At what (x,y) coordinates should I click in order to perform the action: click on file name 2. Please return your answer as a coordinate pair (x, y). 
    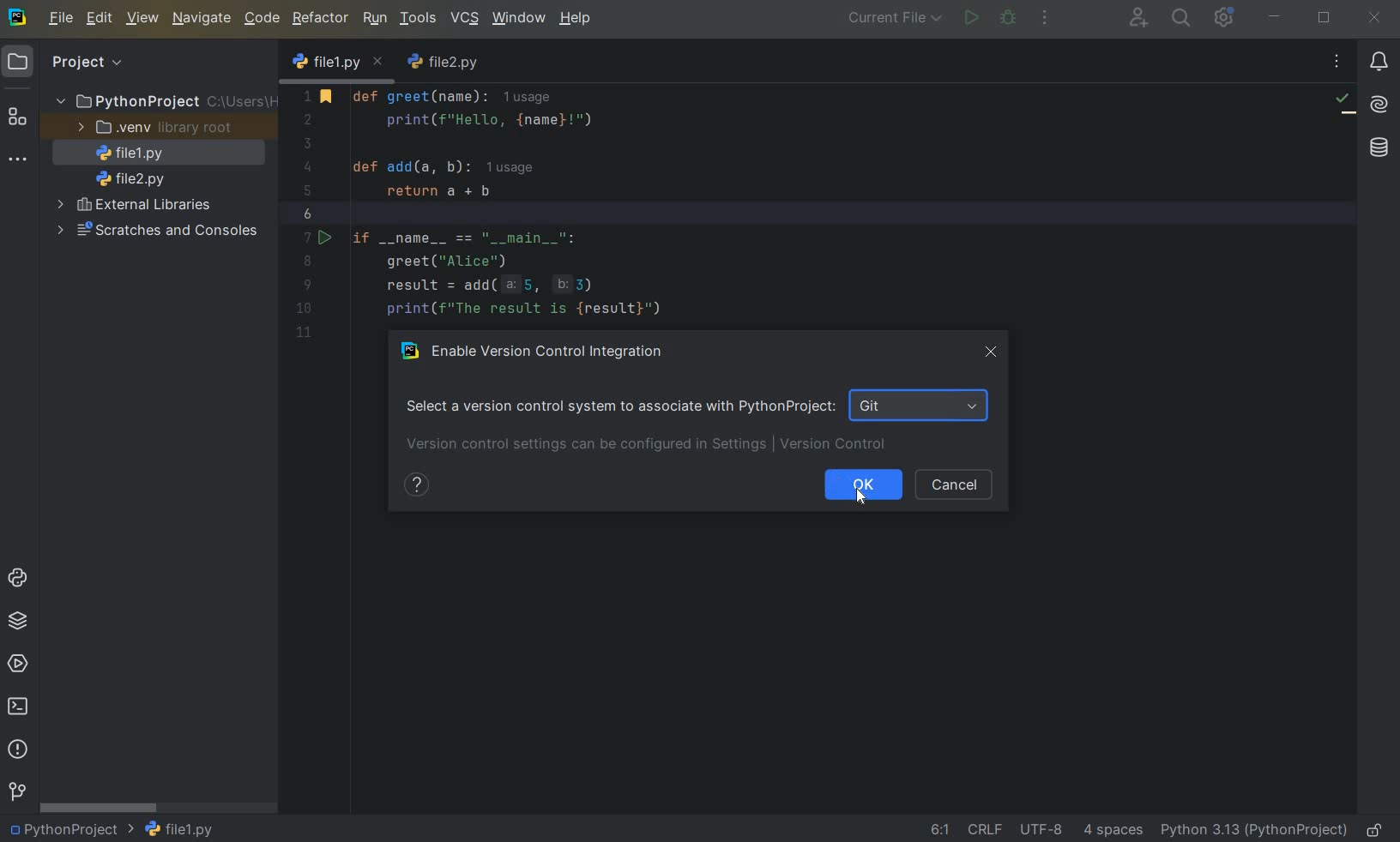
    Looking at the image, I should click on (446, 64).